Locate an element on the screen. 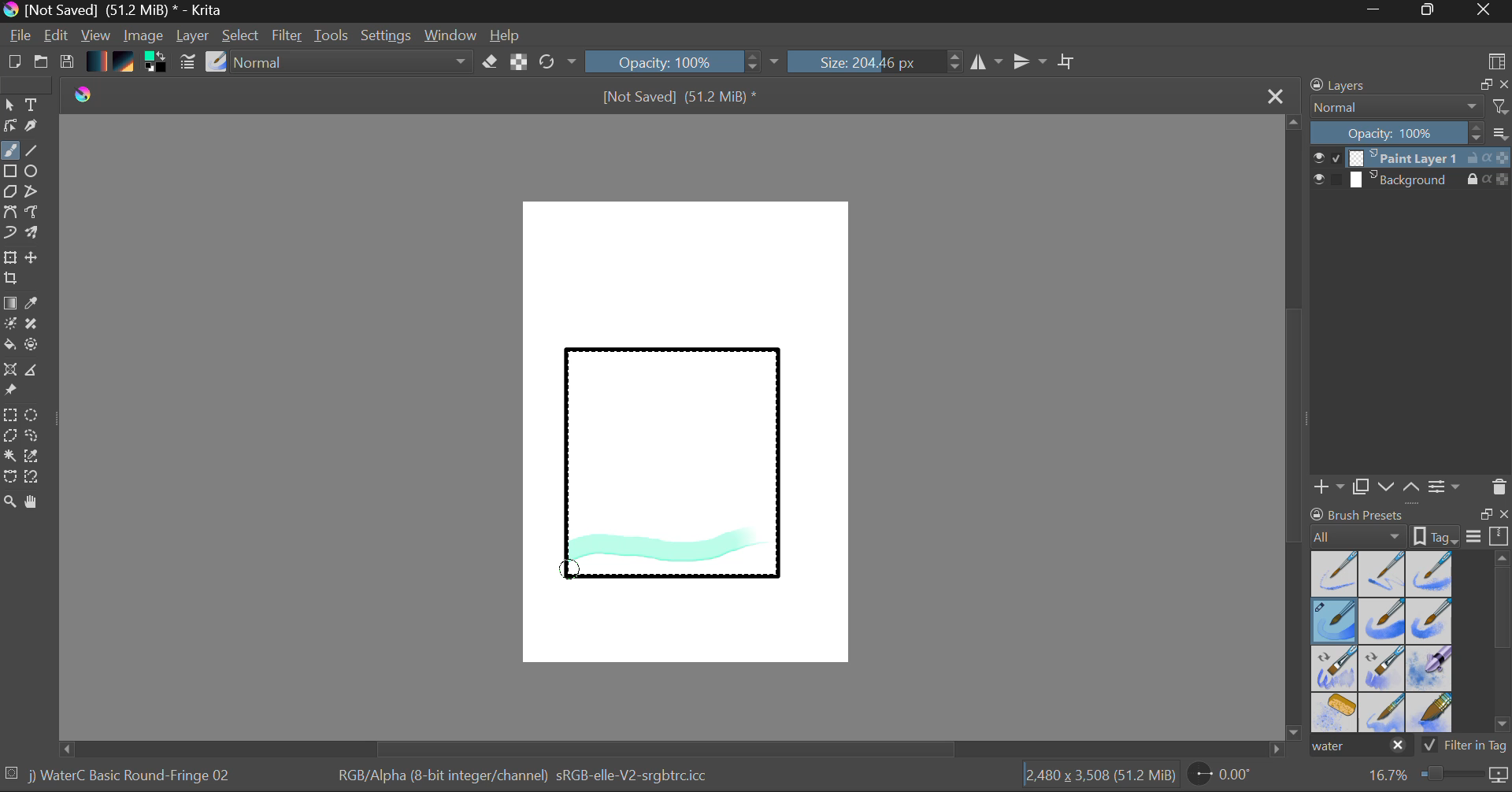 This screenshot has width=1512, height=792. Brush Size is located at coordinates (876, 61).